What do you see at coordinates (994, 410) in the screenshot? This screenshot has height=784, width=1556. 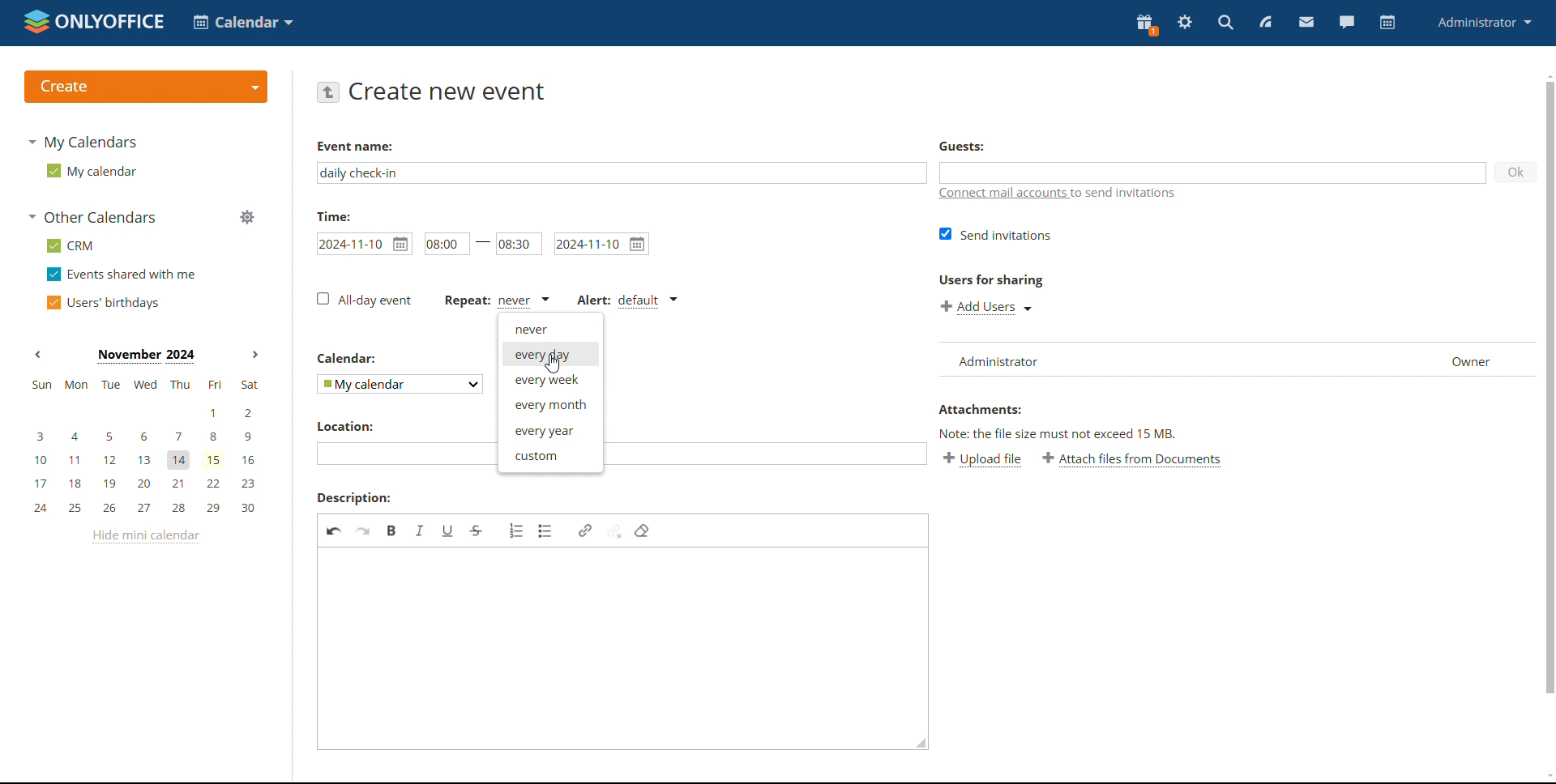 I see `attachment:` at bounding box center [994, 410].